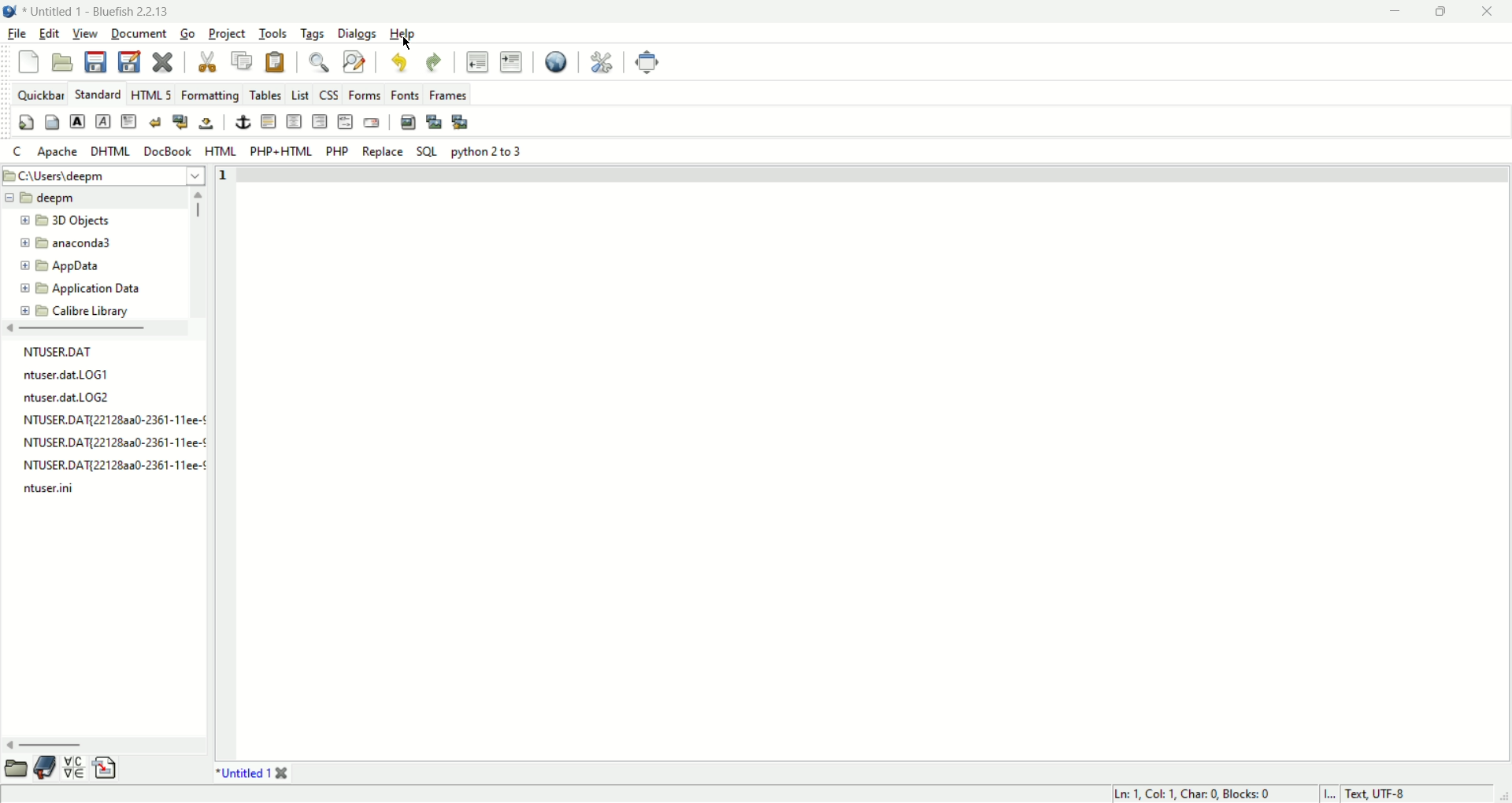 This screenshot has width=1512, height=803. What do you see at coordinates (475, 63) in the screenshot?
I see `unindent` at bounding box center [475, 63].